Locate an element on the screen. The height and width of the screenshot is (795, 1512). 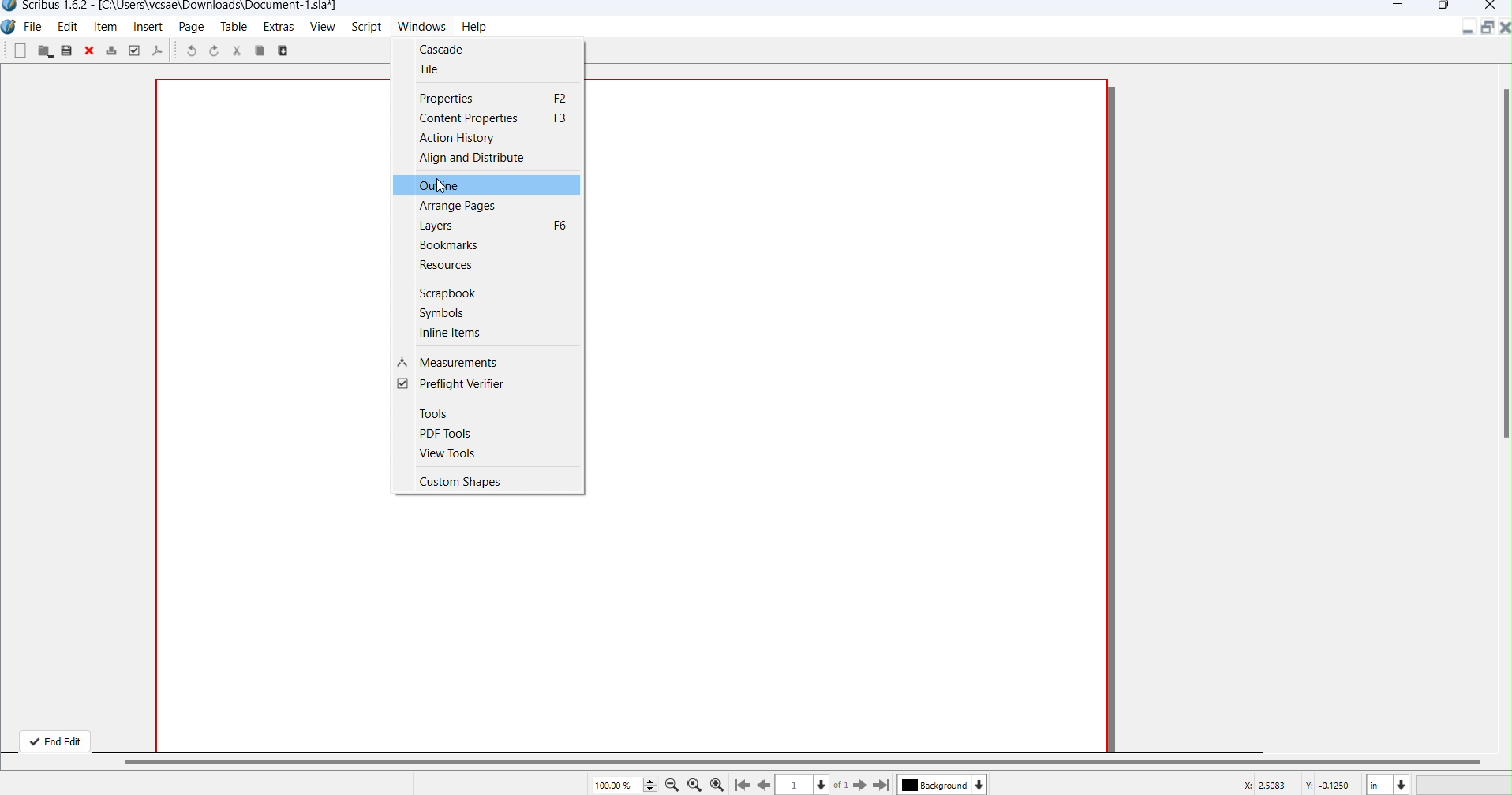
zoom out is located at coordinates (672, 784).